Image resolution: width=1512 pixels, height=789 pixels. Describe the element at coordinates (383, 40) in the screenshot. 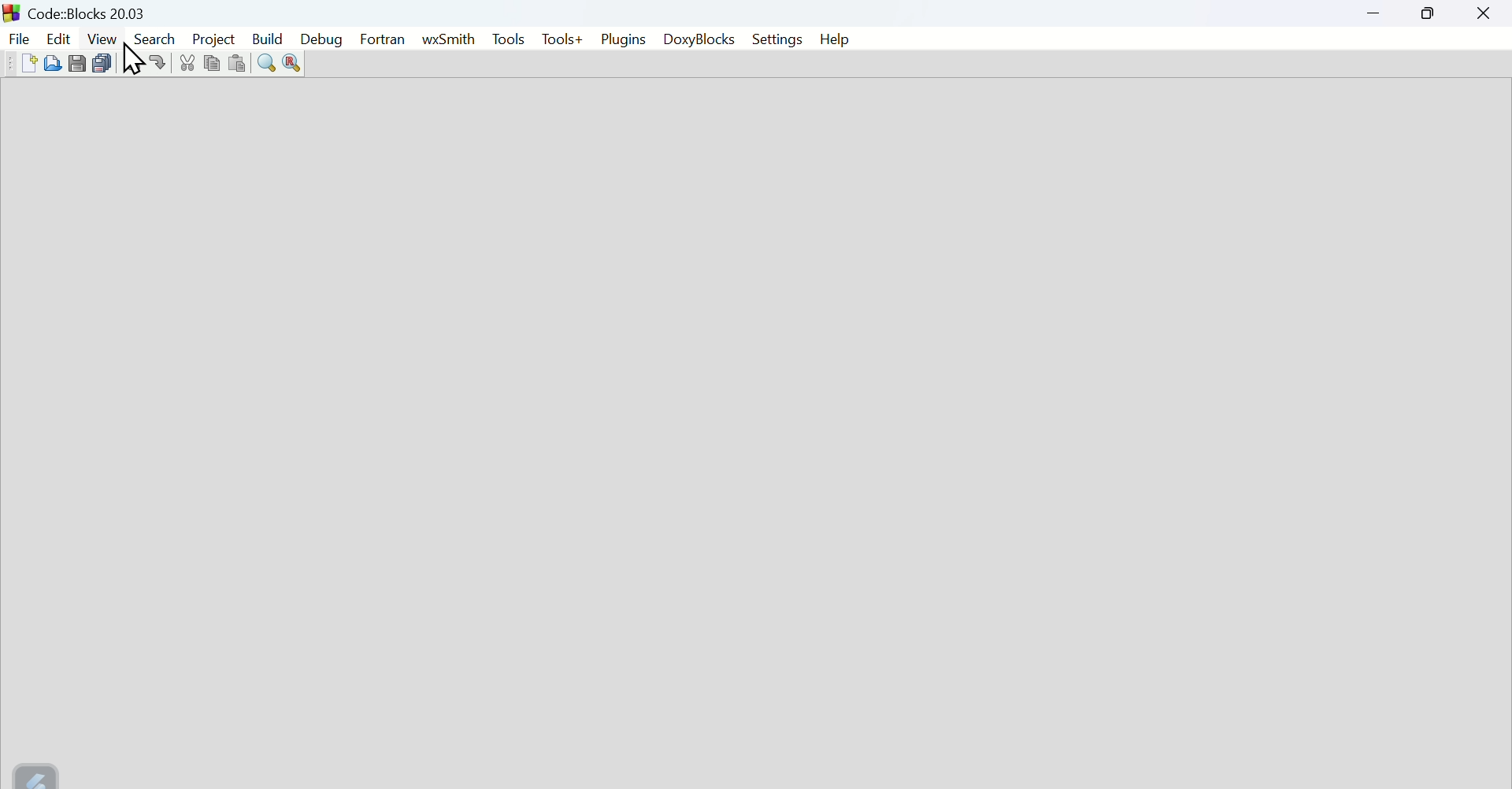

I see `Fortran` at that location.